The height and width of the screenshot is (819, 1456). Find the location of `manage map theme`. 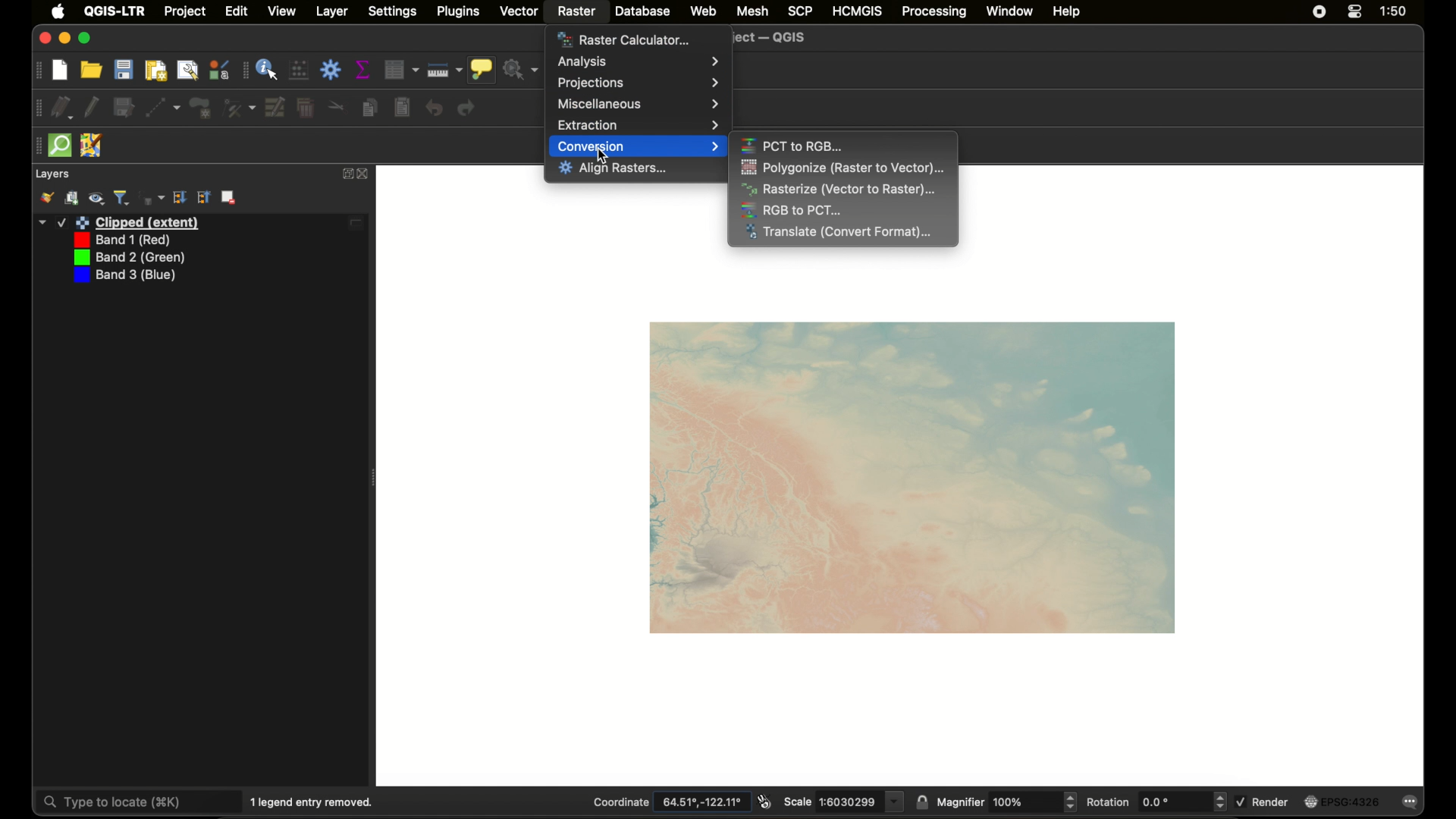

manage map theme is located at coordinates (96, 199).